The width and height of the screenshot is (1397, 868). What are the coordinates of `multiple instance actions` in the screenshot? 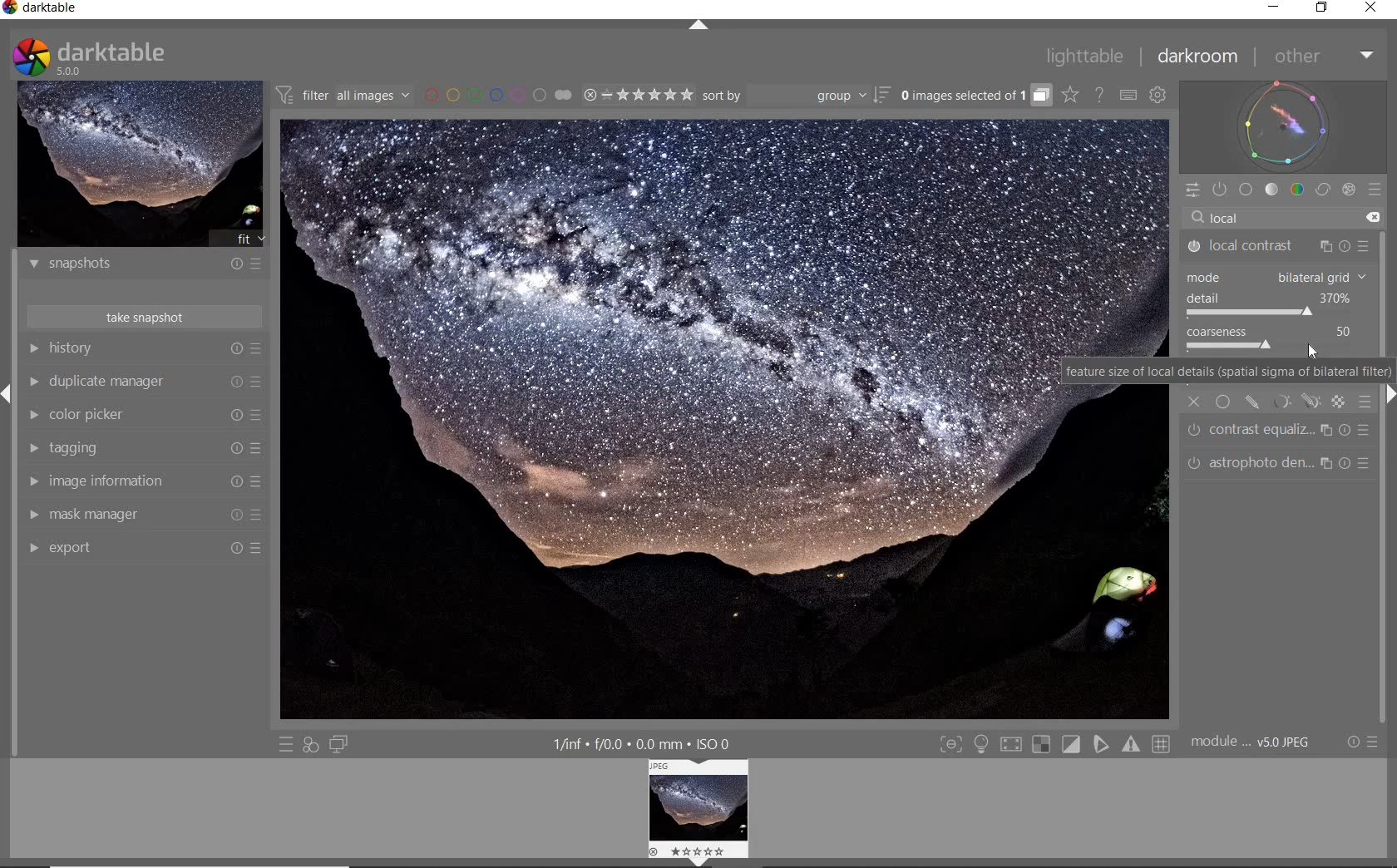 It's located at (1325, 243).